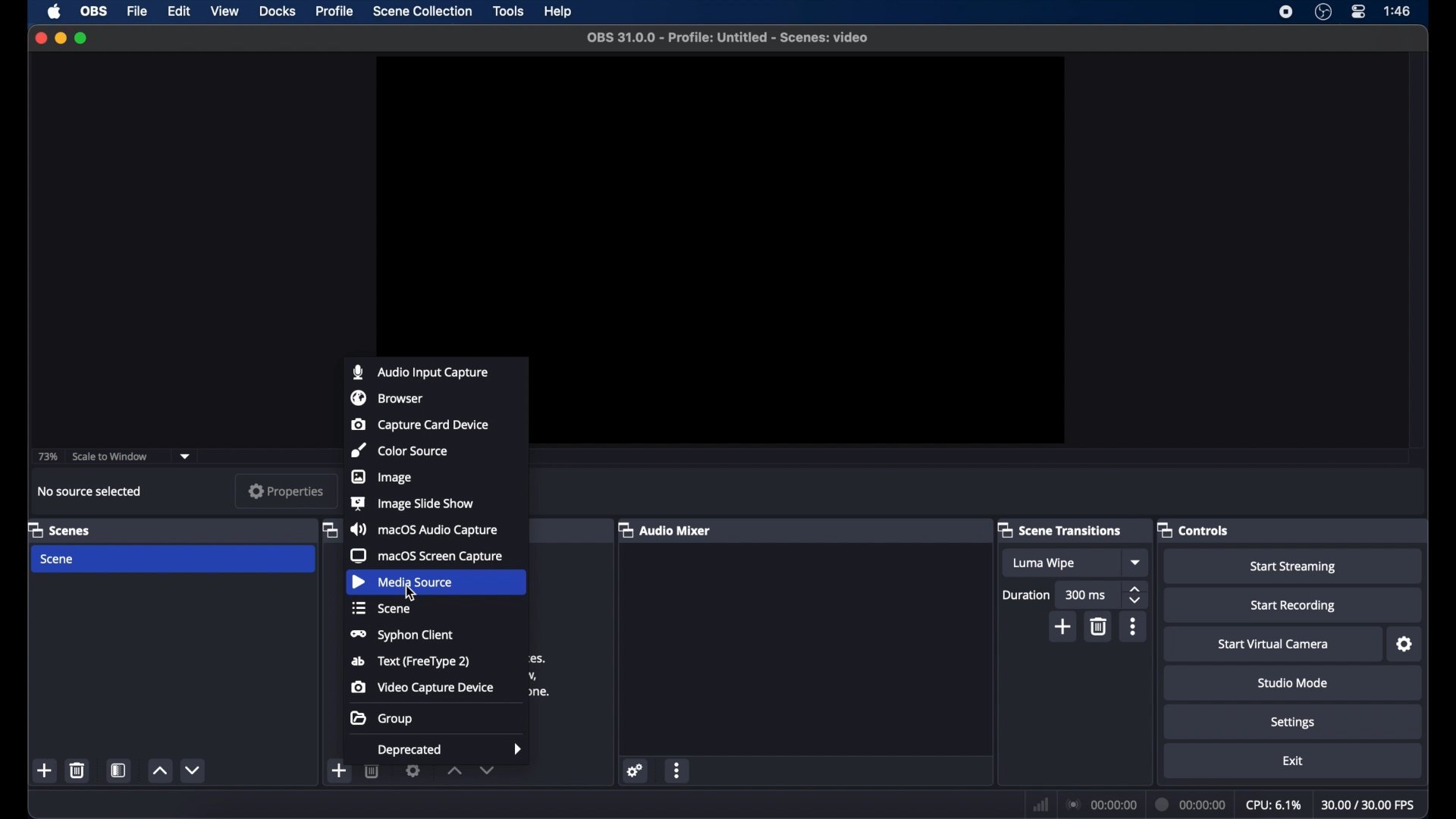 The height and width of the screenshot is (819, 1456). I want to click on obs studio, so click(1323, 11).